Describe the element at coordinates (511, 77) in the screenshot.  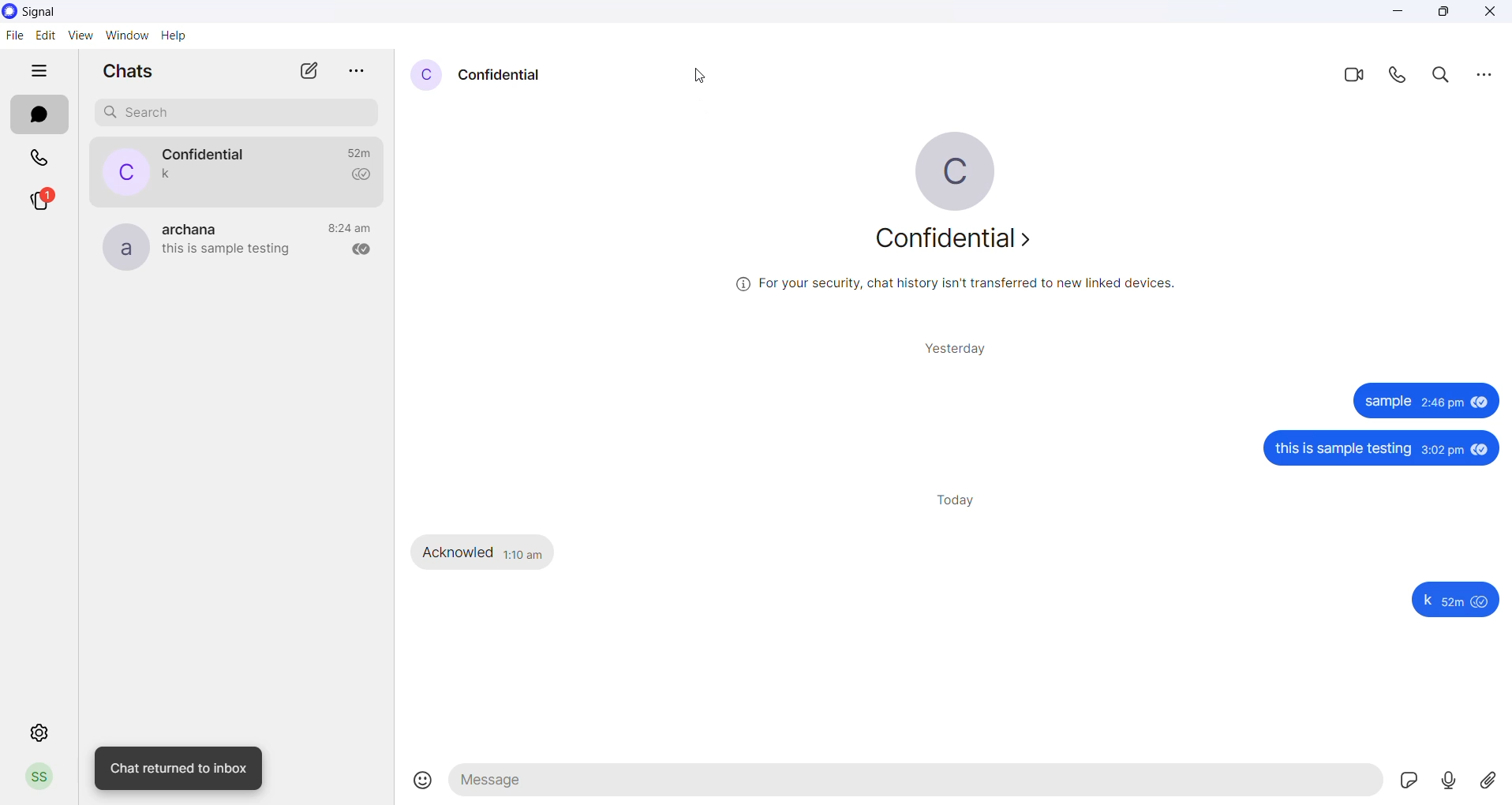
I see `contact name` at that location.